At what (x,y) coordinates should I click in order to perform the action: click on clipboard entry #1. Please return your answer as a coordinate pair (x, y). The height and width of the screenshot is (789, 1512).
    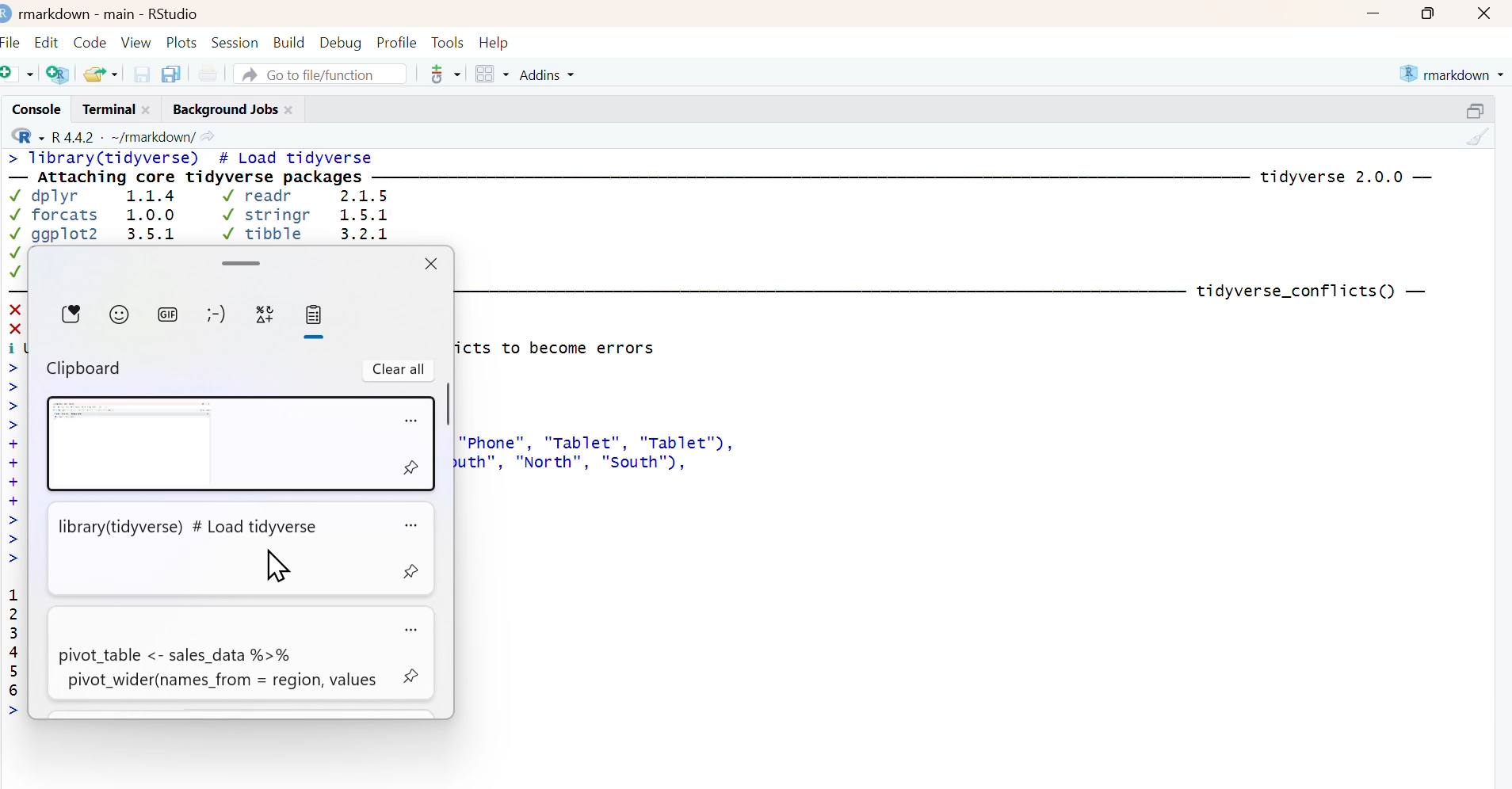
    Looking at the image, I should click on (218, 444).